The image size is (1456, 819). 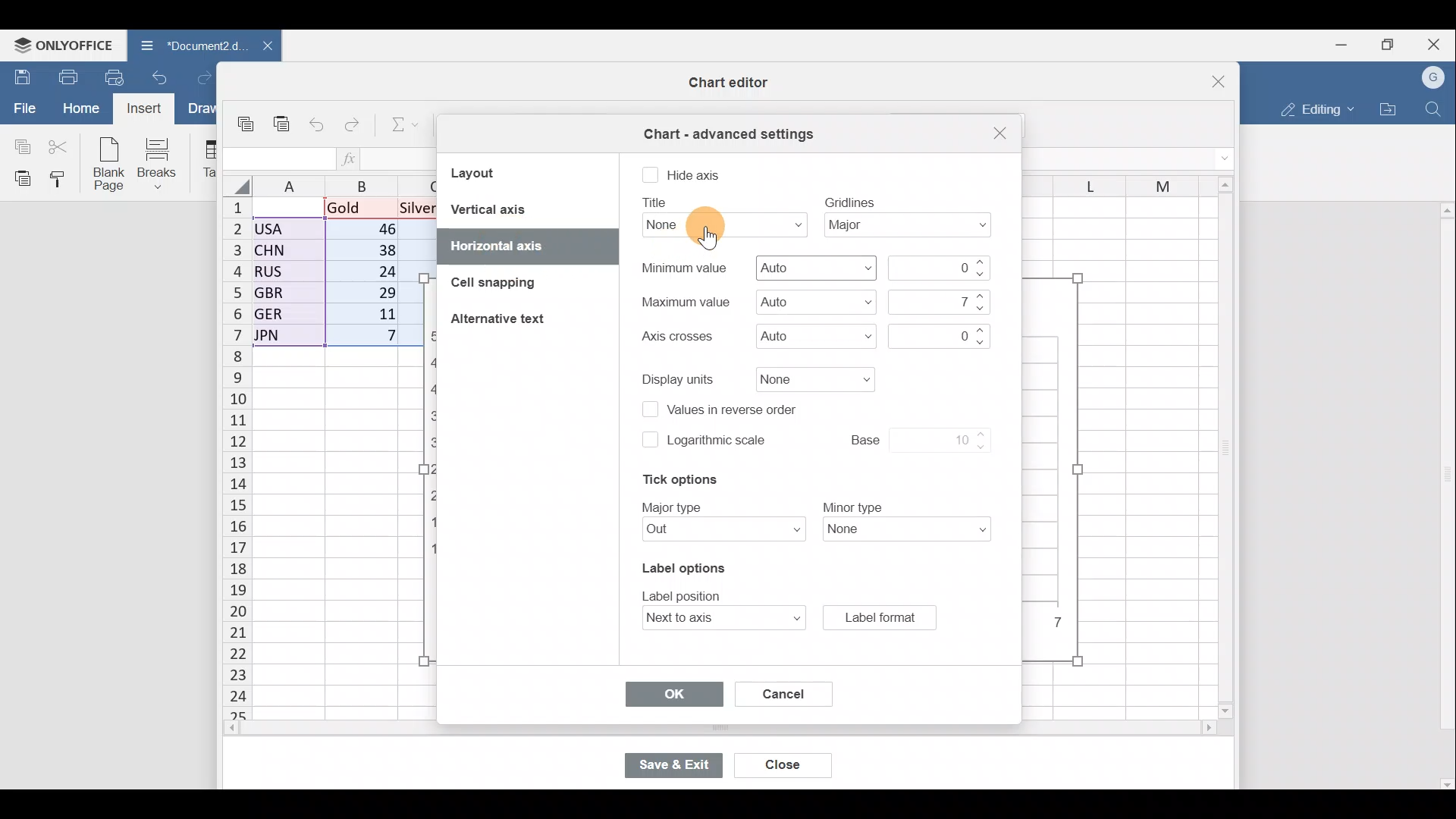 I want to click on Minimize, so click(x=1338, y=46).